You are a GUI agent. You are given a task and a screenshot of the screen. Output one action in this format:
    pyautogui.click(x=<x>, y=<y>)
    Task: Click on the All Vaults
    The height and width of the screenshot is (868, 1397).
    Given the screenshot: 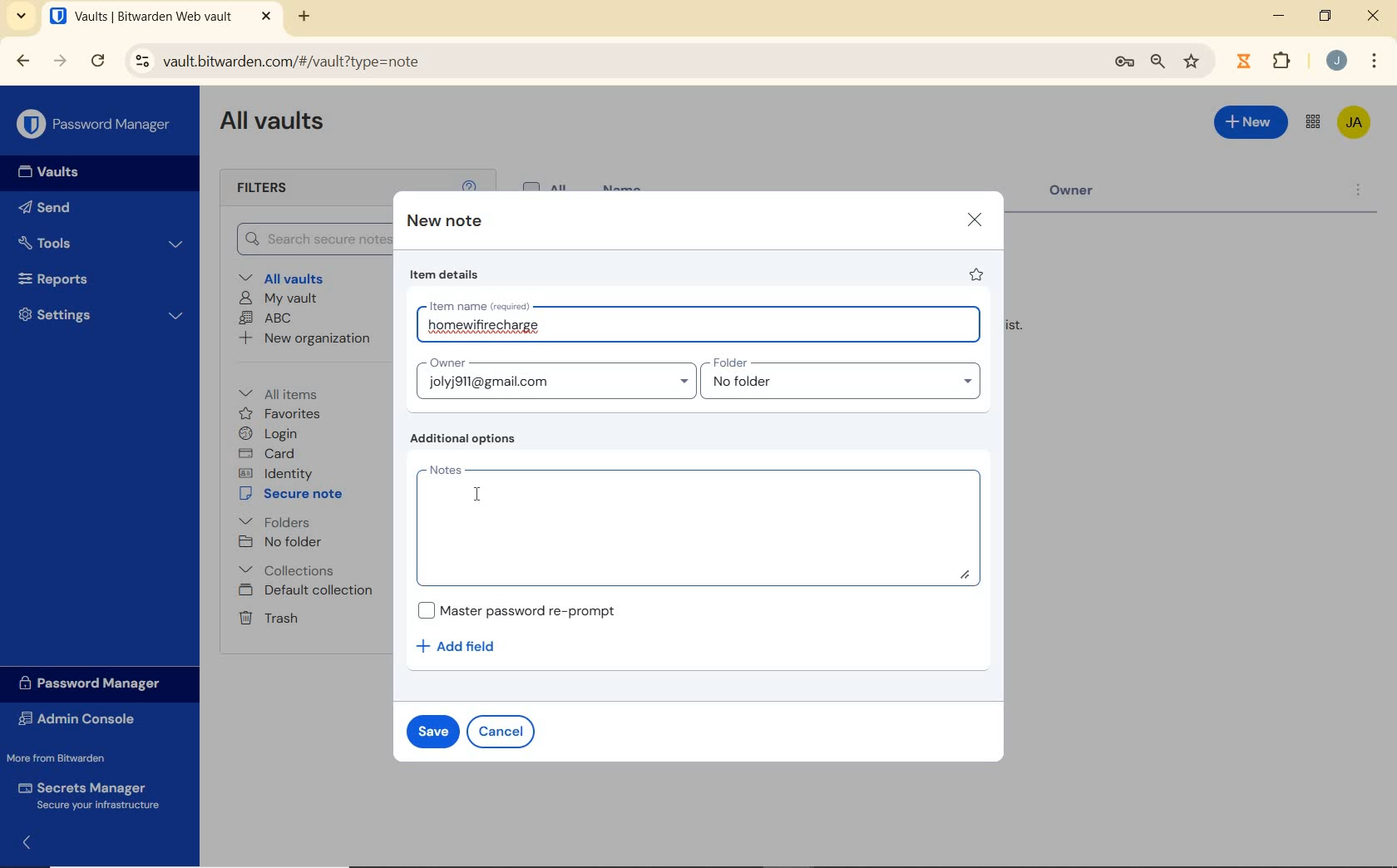 What is the action you would take?
    pyautogui.click(x=273, y=124)
    